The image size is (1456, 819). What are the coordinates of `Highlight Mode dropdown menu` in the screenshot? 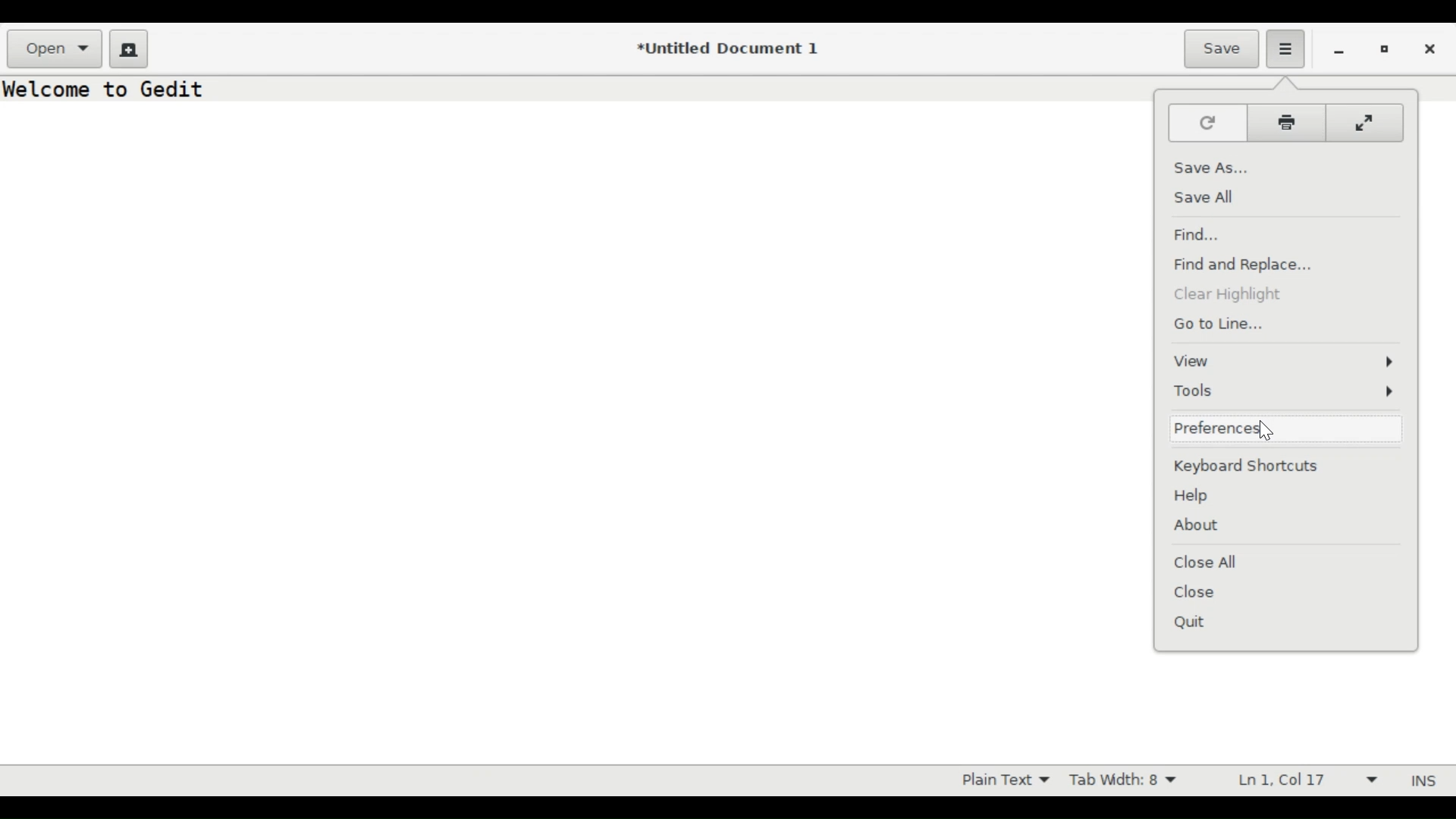 It's located at (1013, 780).